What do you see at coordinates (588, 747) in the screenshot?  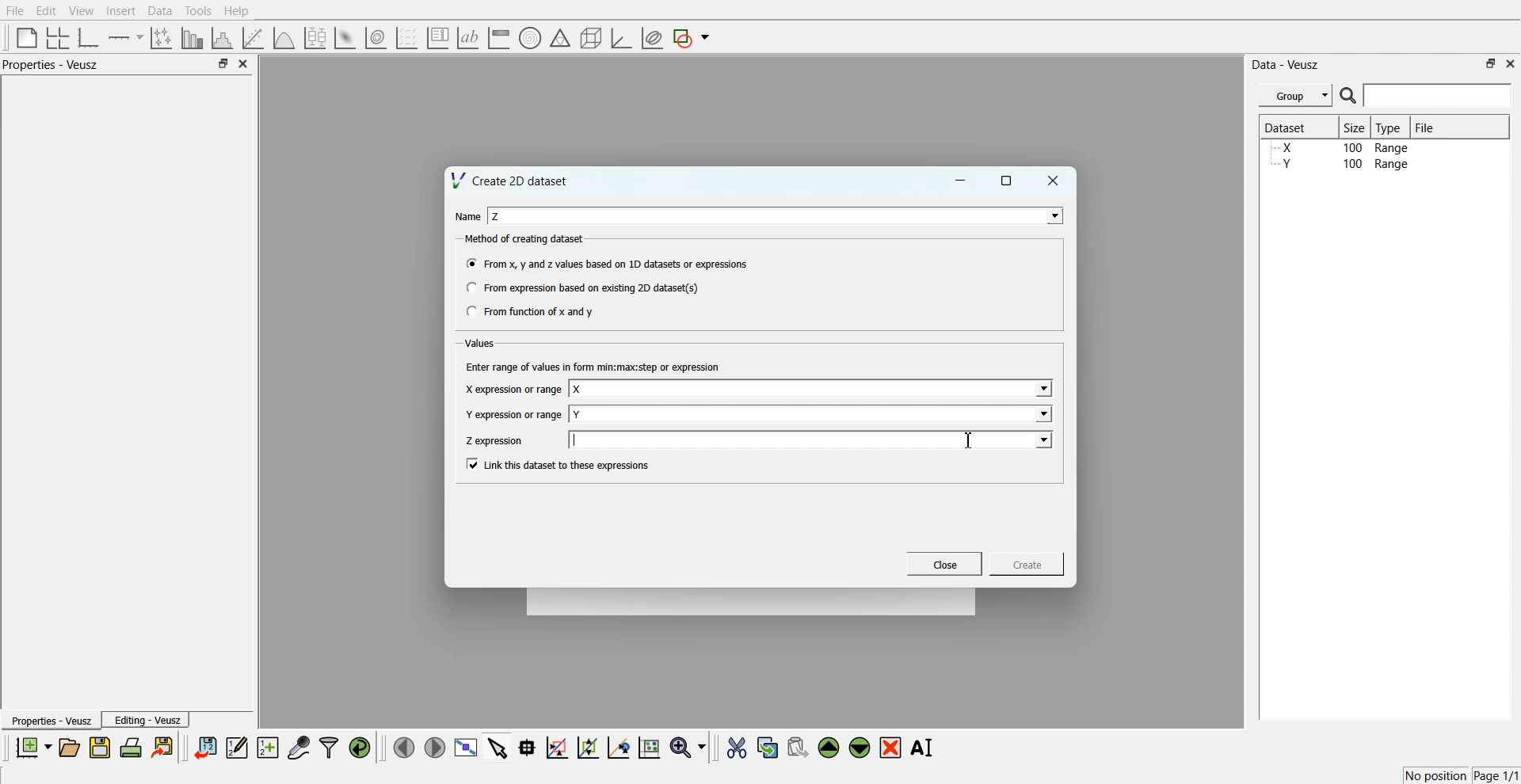 I see `Zoom out of the graph axes` at bounding box center [588, 747].